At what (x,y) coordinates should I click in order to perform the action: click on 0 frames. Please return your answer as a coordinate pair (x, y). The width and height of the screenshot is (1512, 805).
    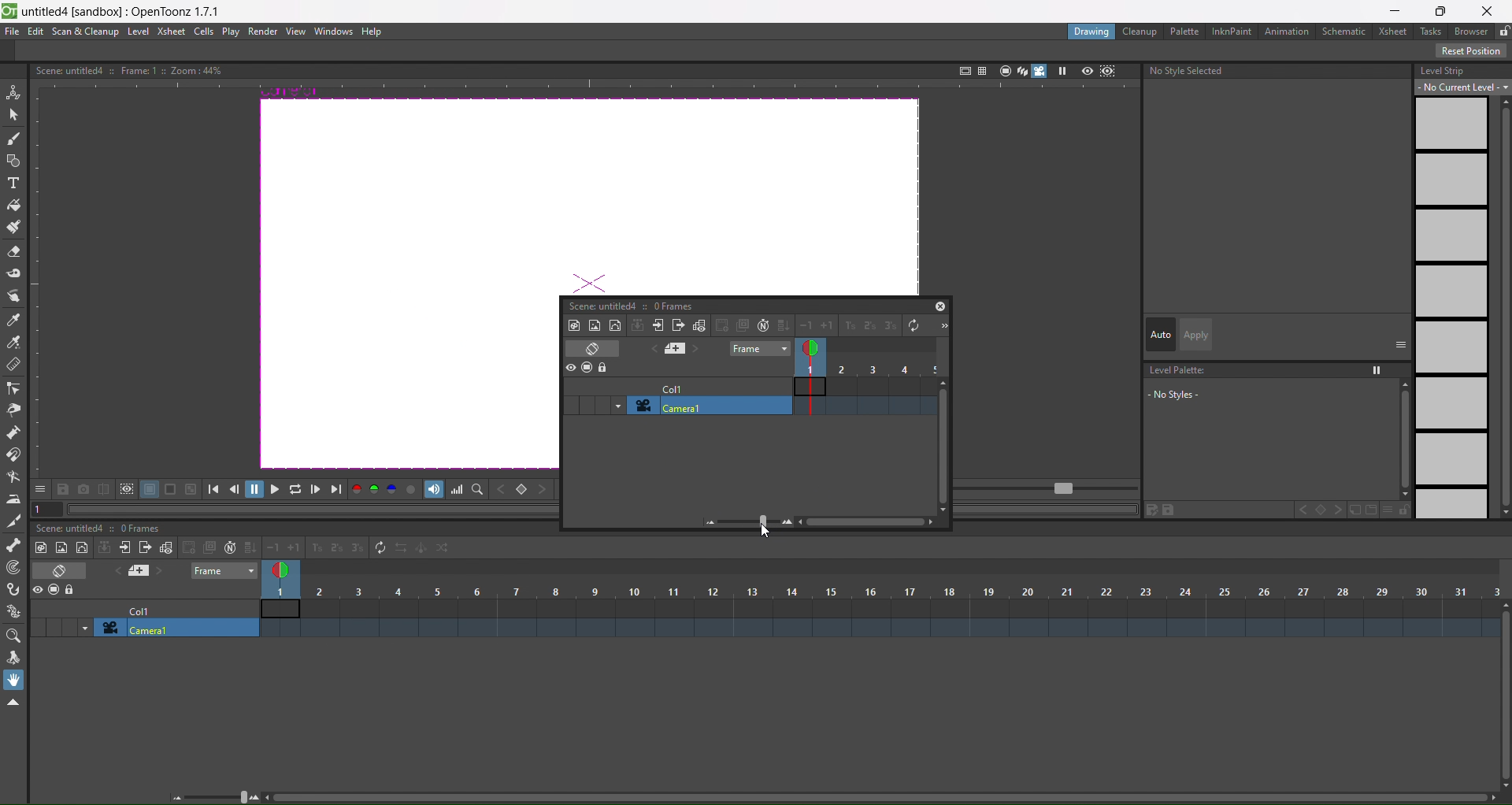
    Looking at the image, I should click on (673, 306).